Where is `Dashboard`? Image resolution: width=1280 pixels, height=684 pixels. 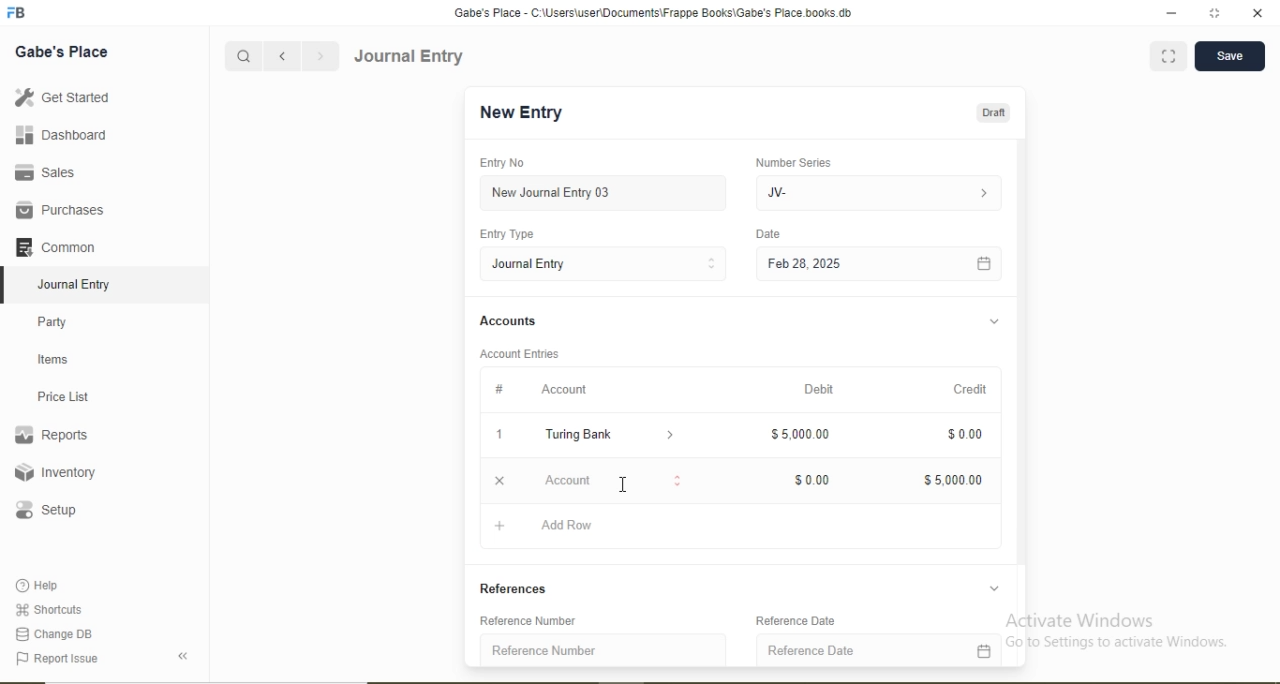
Dashboard is located at coordinates (62, 134).